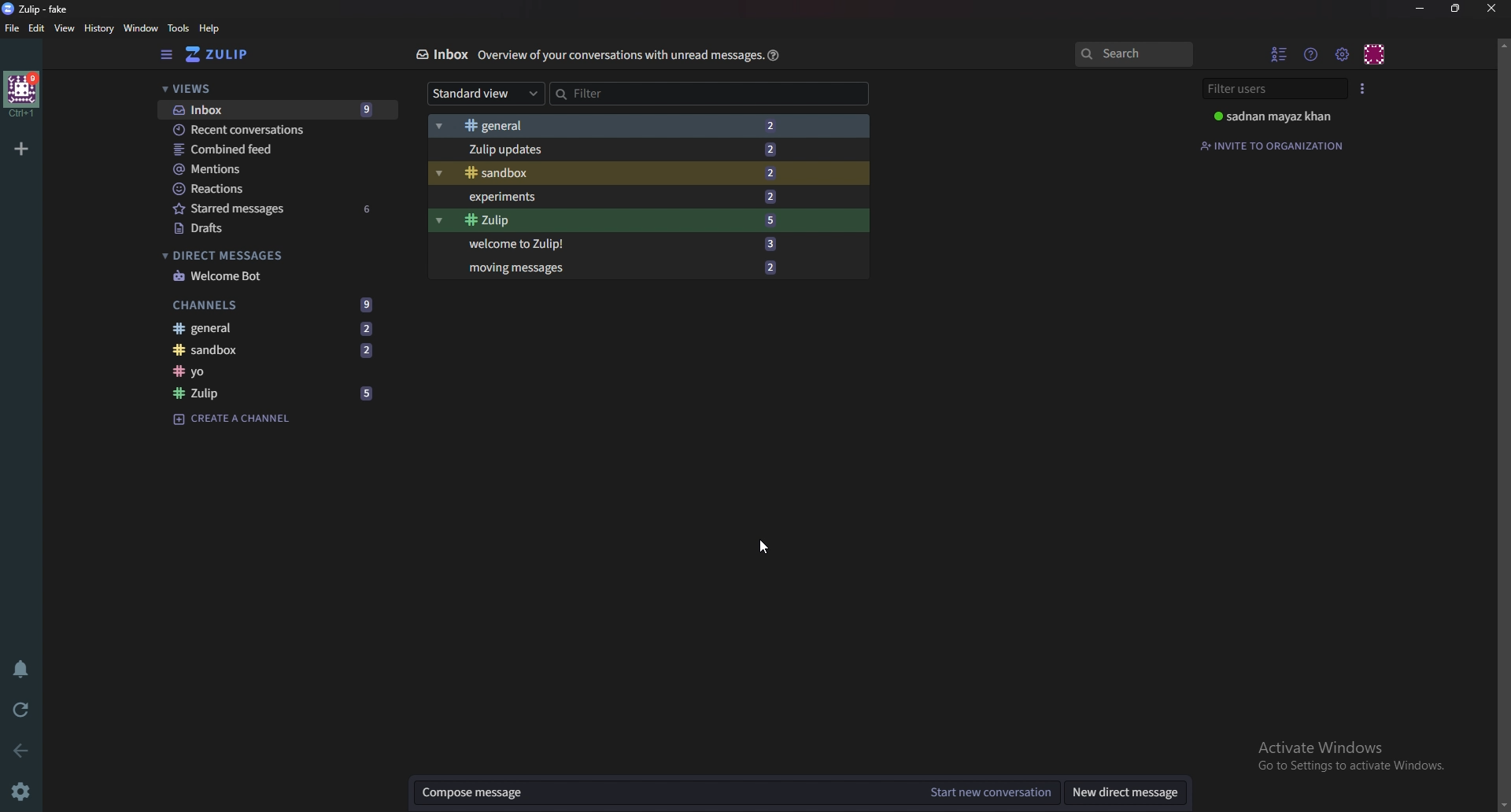 This screenshot has height=812, width=1511. What do you see at coordinates (651, 221) in the screenshot?
I see `Zulip` at bounding box center [651, 221].